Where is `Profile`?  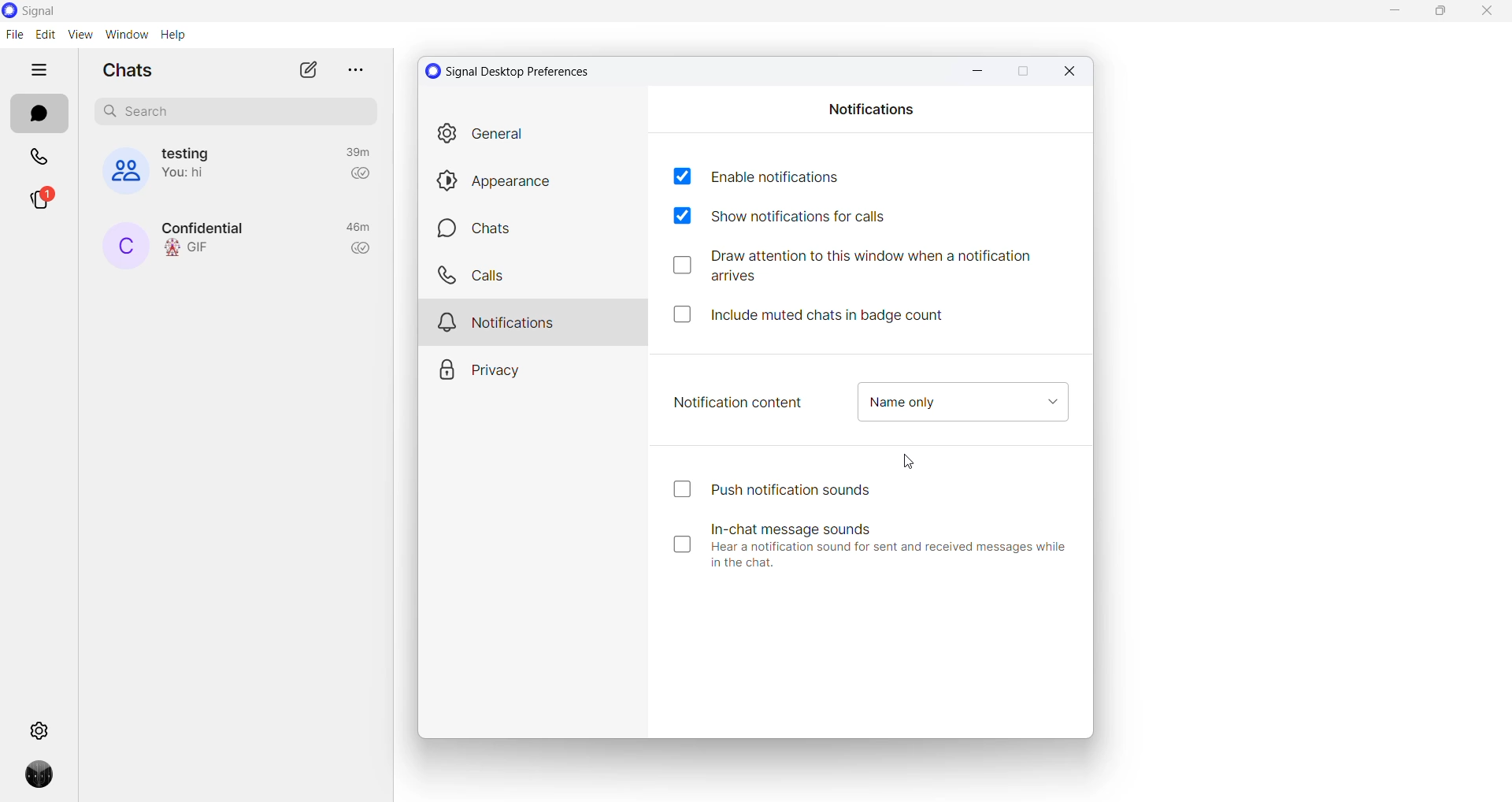
Profile is located at coordinates (34, 780).